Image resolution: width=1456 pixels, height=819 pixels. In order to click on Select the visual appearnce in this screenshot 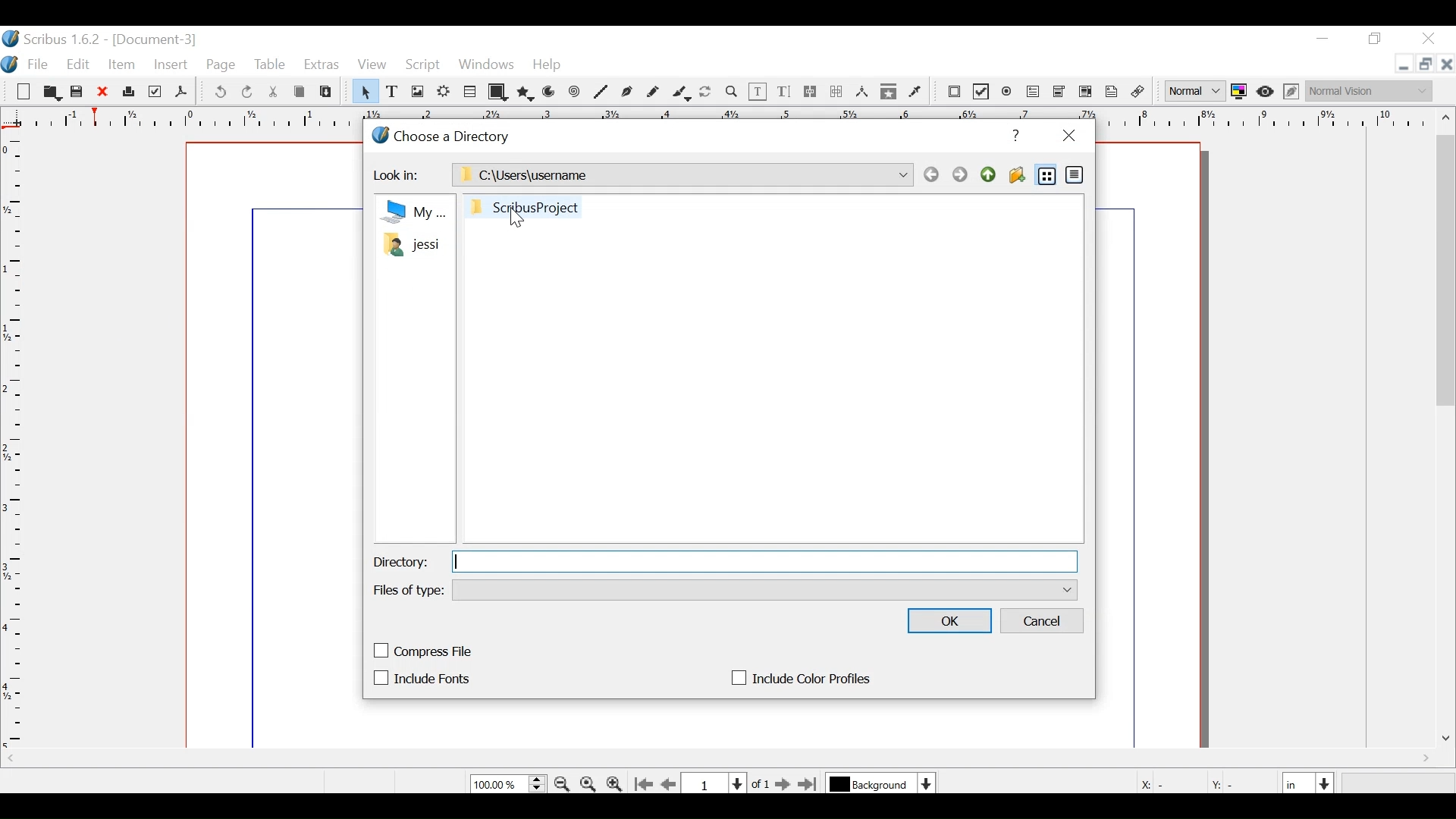, I will do `click(1373, 91)`.